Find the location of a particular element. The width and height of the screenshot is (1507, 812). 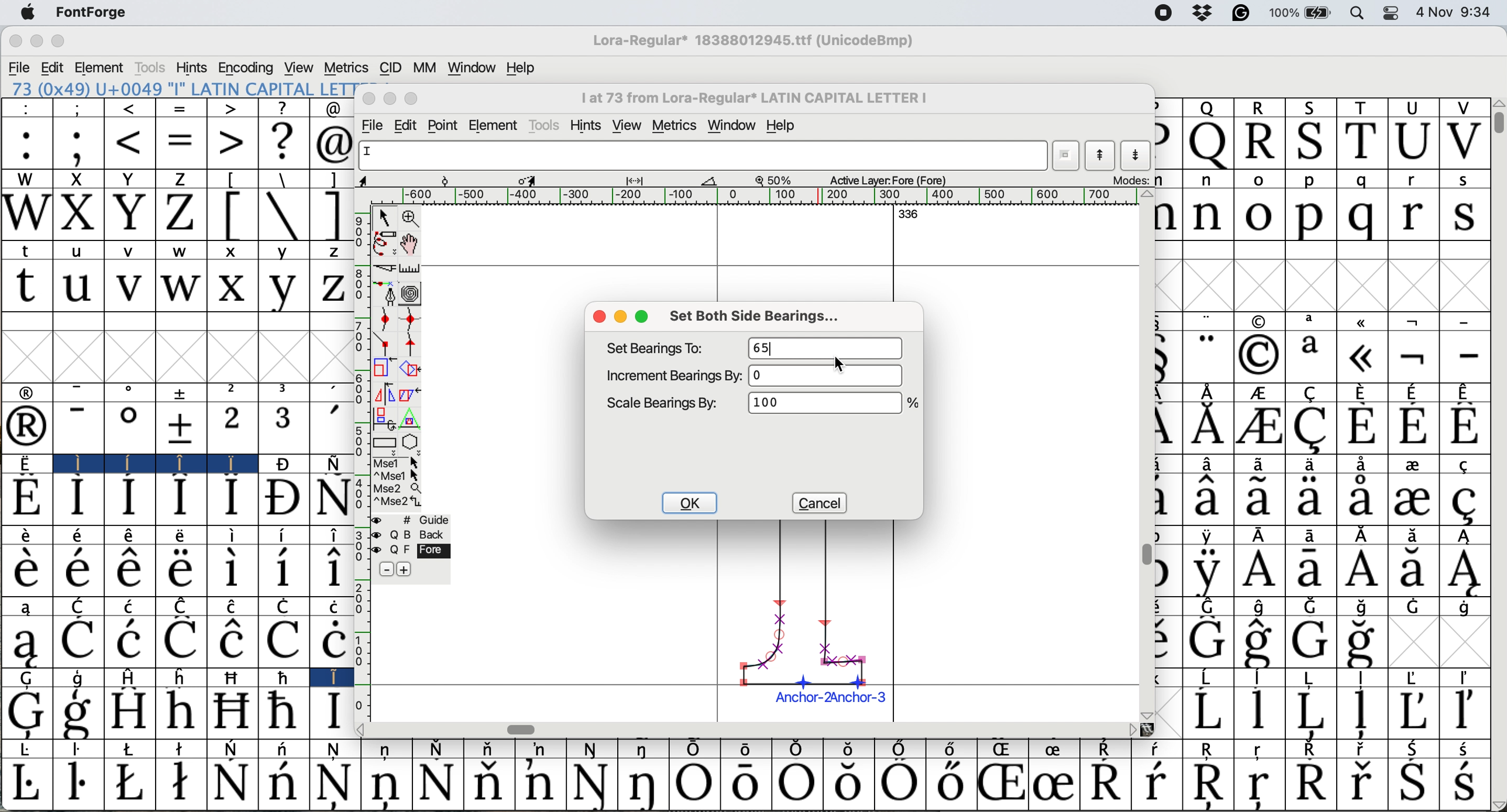

Symbol is located at coordinates (1466, 570).